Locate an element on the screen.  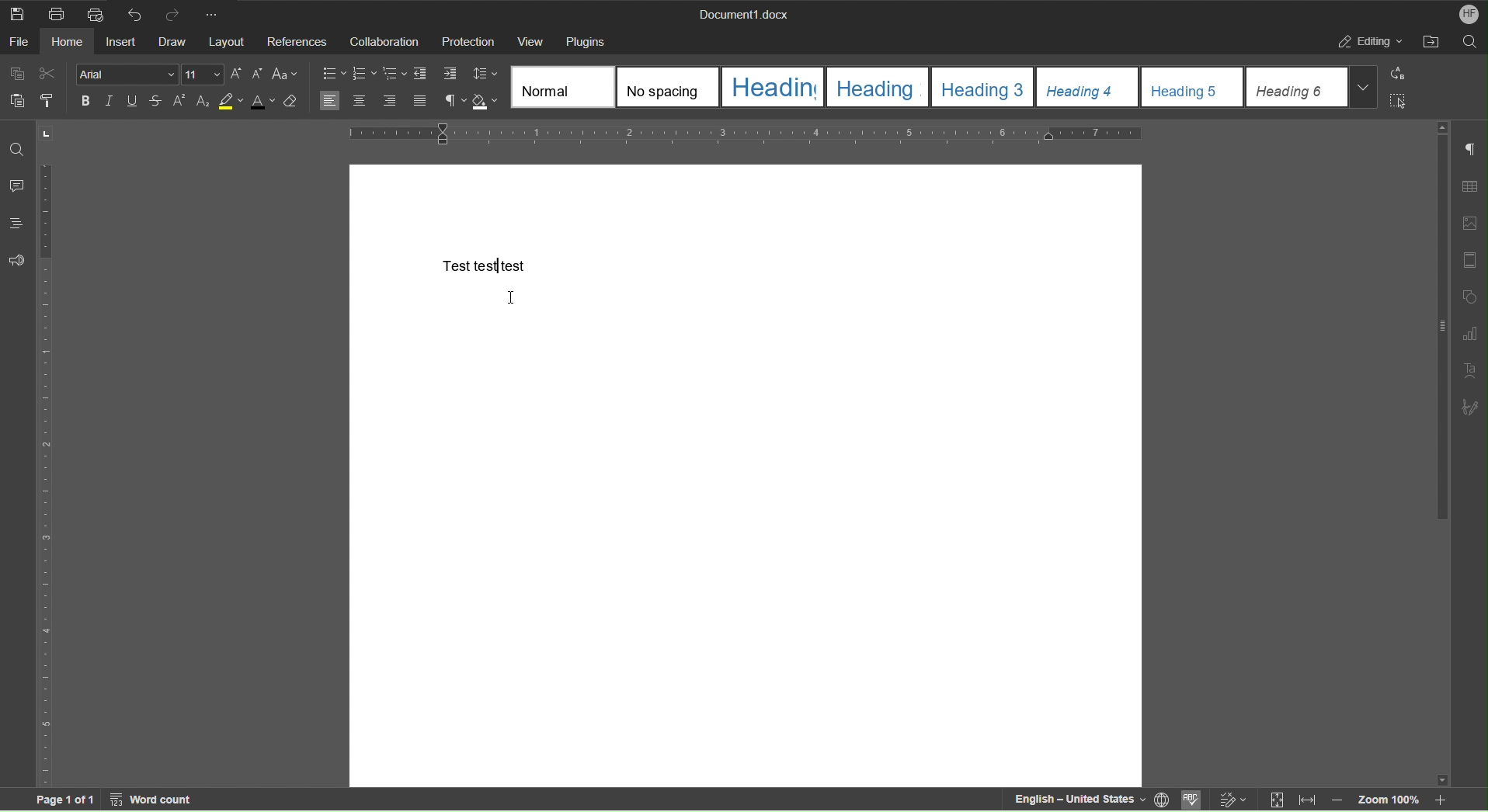
Print is located at coordinates (61, 13).